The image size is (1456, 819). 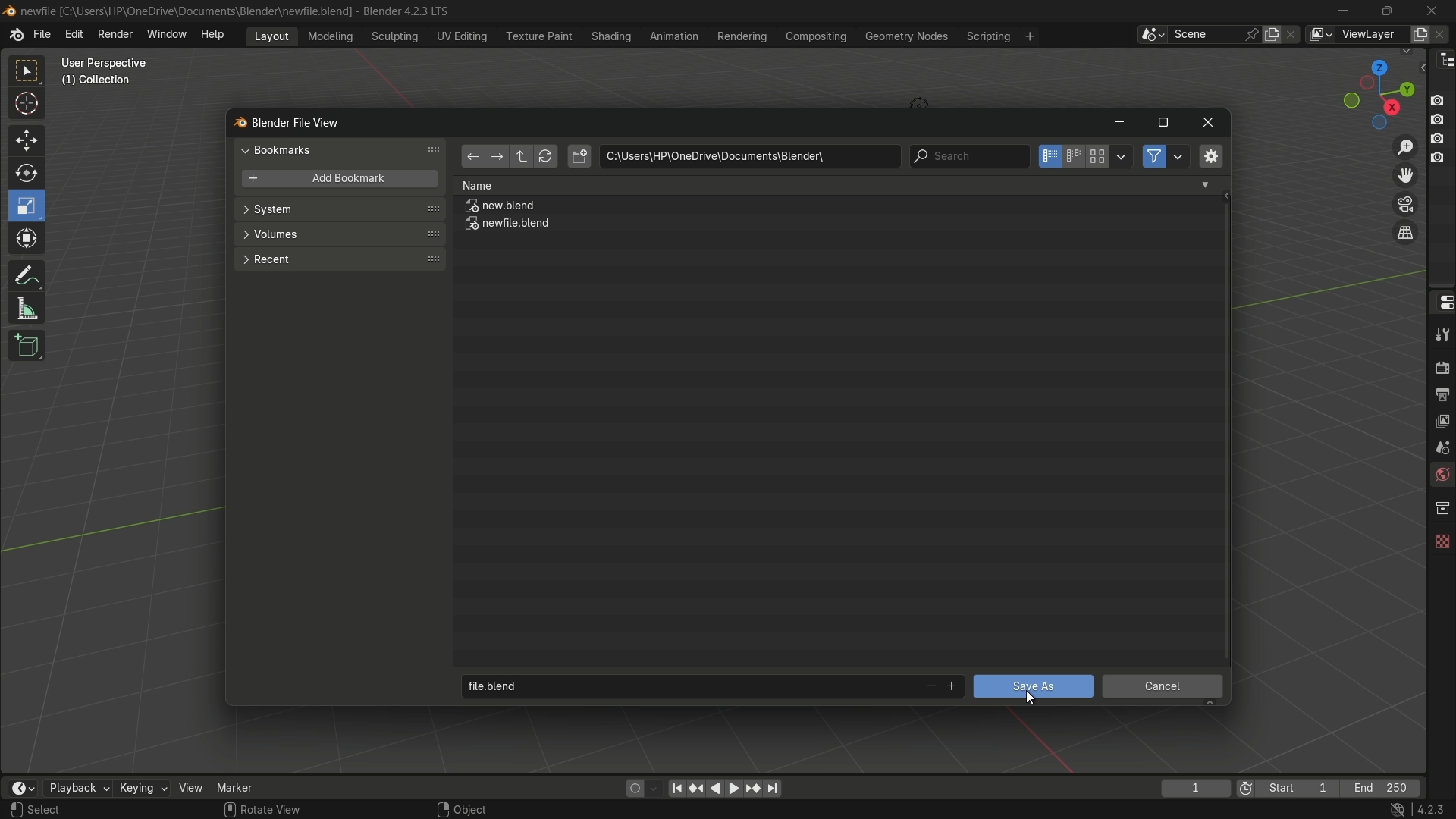 What do you see at coordinates (298, 121) in the screenshot?
I see `blender file view` at bounding box center [298, 121].